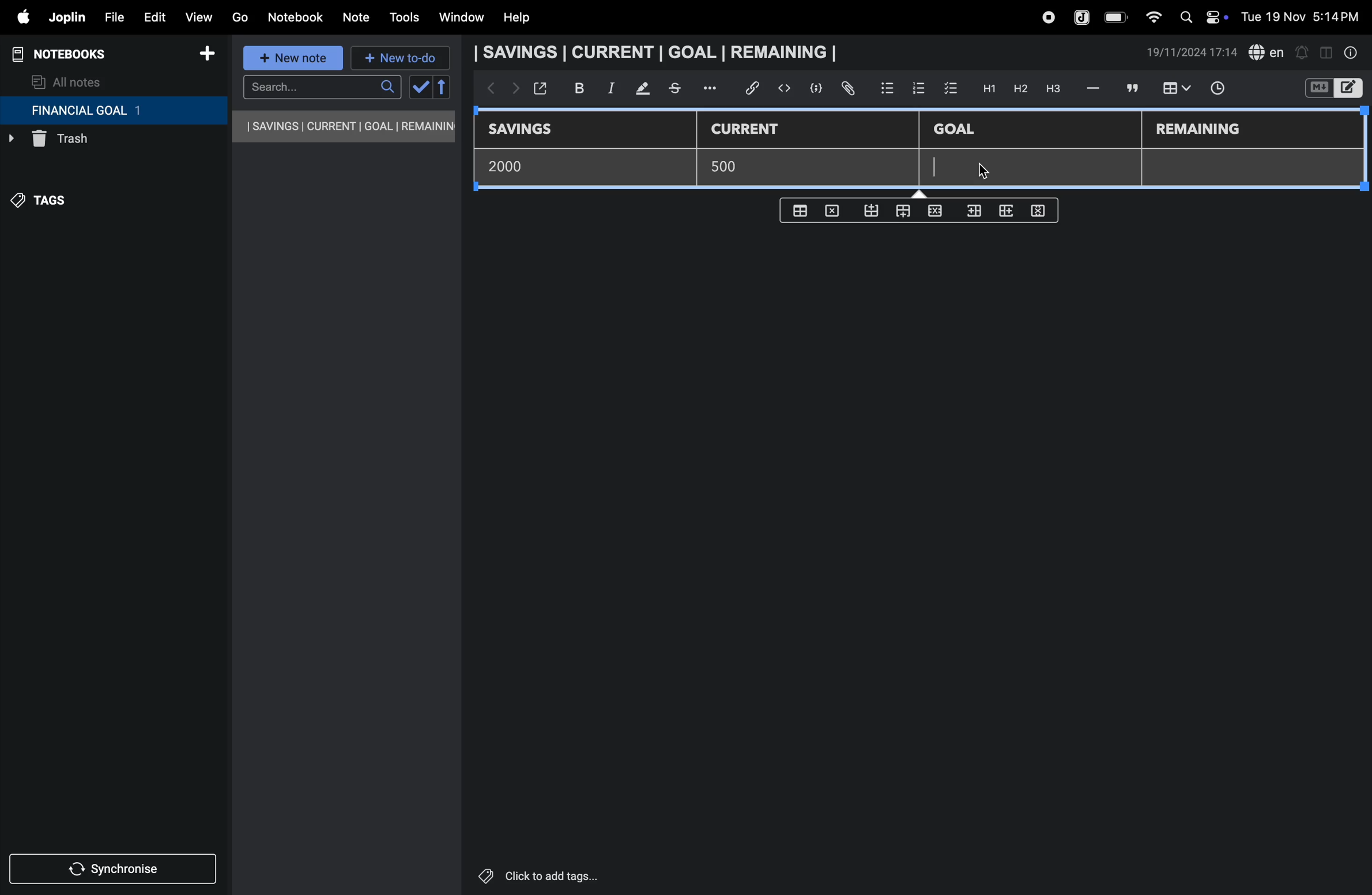 This screenshot has height=895, width=1372. What do you see at coordinates (358, 18) in the screenshot?
I see `note` at bounding box center [358, 18].